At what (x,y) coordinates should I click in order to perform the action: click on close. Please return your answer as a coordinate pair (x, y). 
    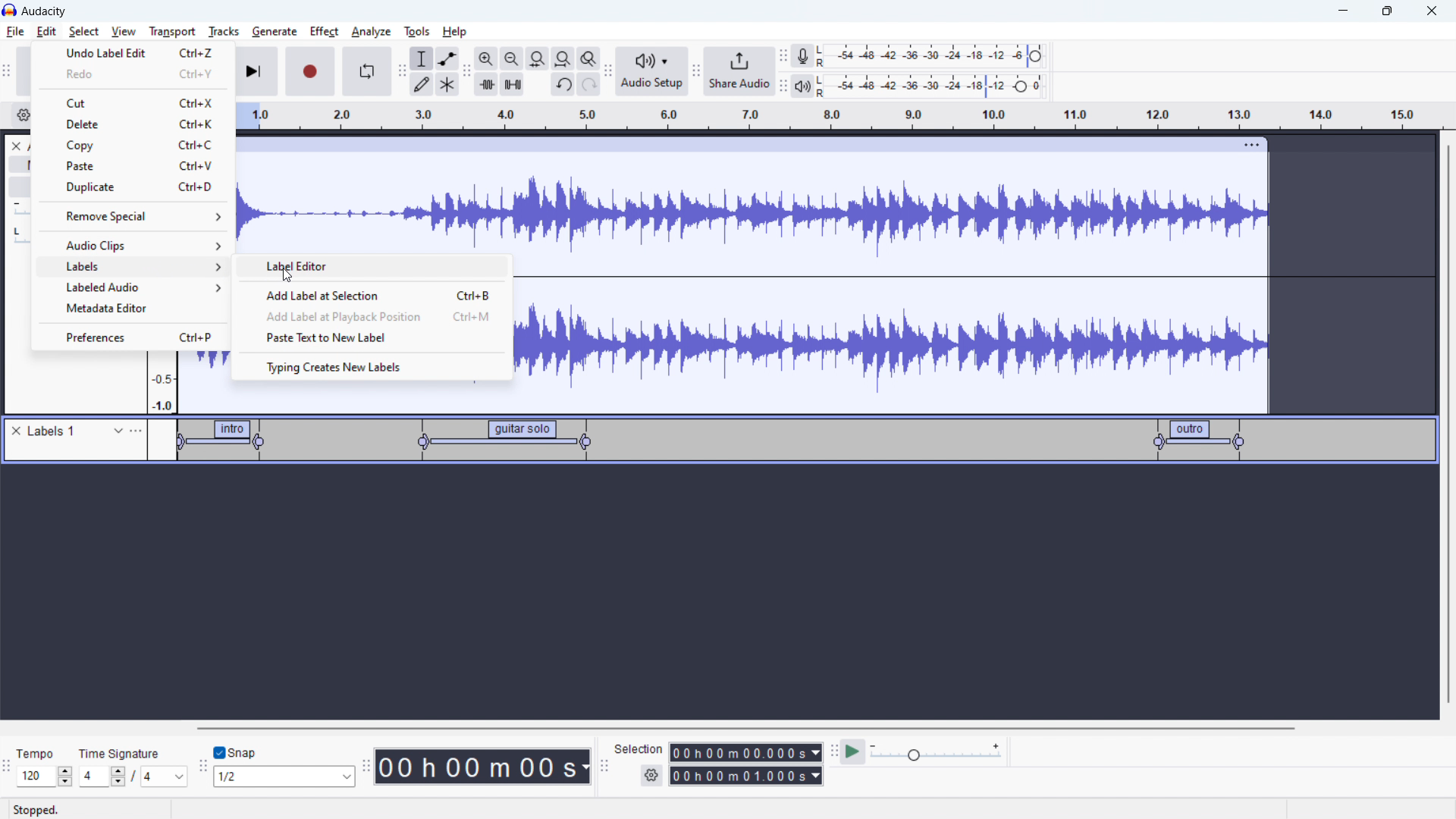
    Looking at the image, I should click on (1432, 11).